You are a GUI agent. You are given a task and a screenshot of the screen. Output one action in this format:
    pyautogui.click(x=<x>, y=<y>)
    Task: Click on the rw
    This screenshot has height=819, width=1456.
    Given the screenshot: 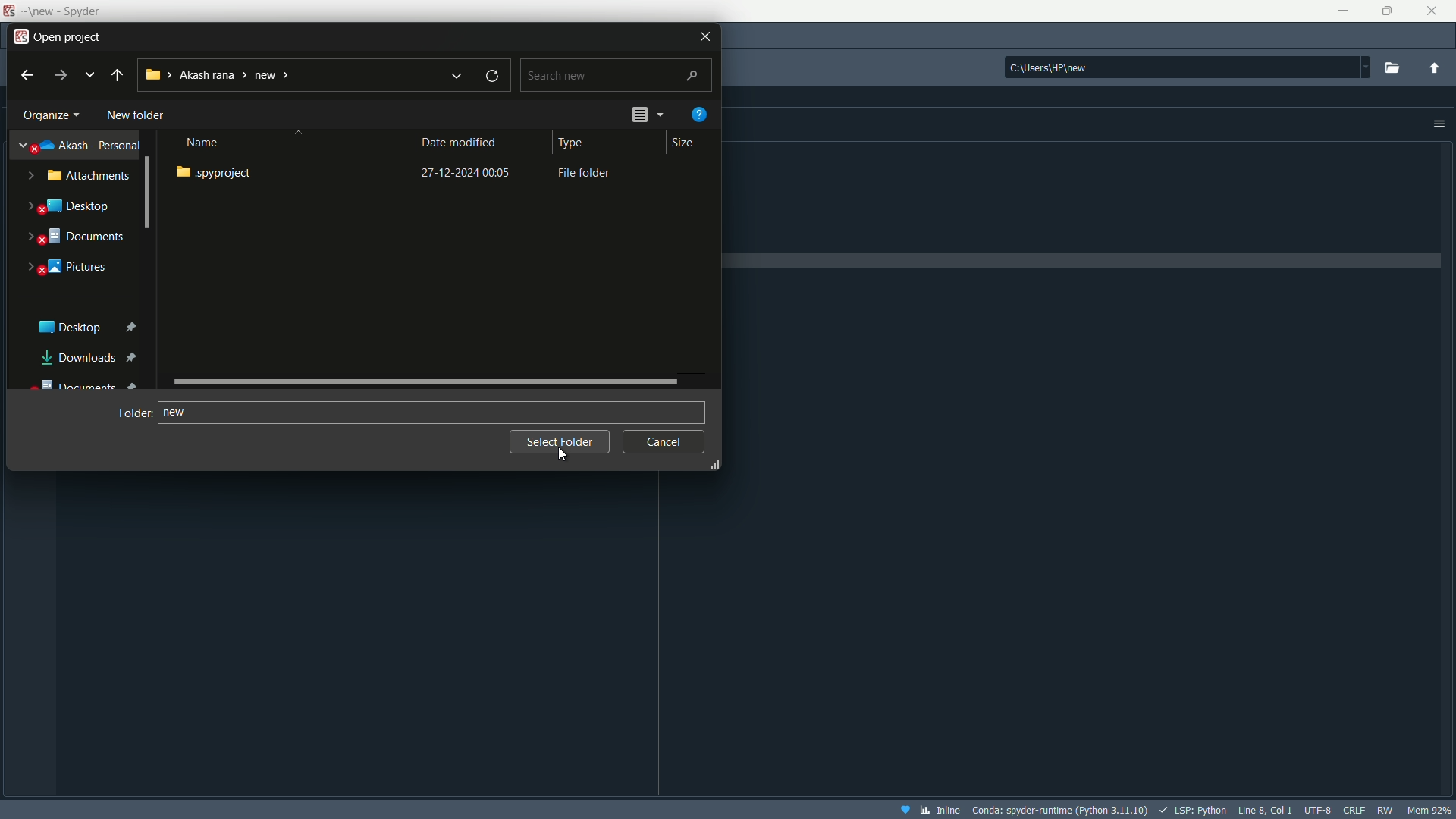 What is the action you would take?
    pyautogui.click(x=1385, y=810)
    